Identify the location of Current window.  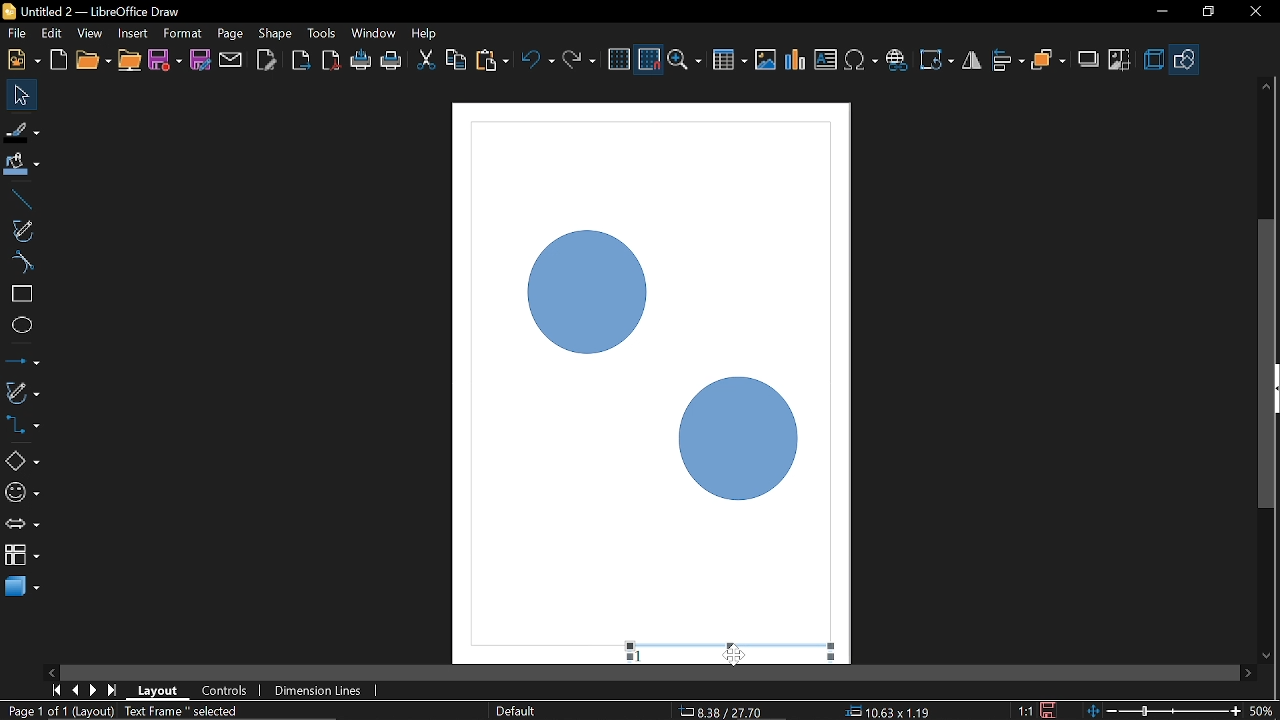
(90, 11).